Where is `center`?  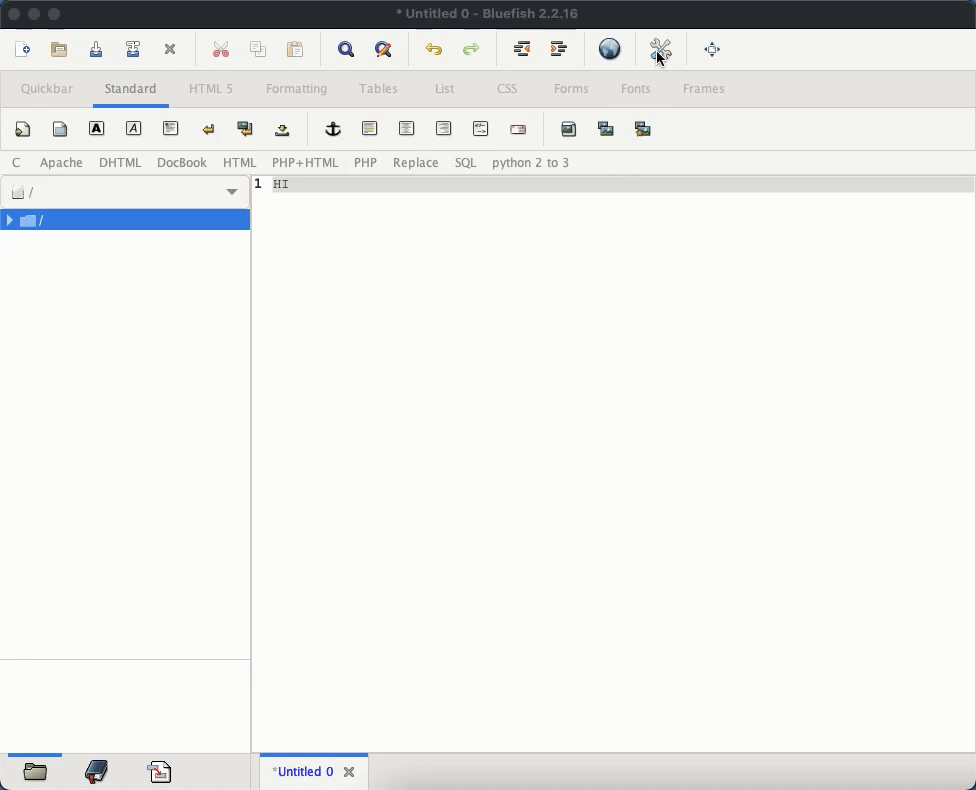 center is located at coordinates (407, 129).